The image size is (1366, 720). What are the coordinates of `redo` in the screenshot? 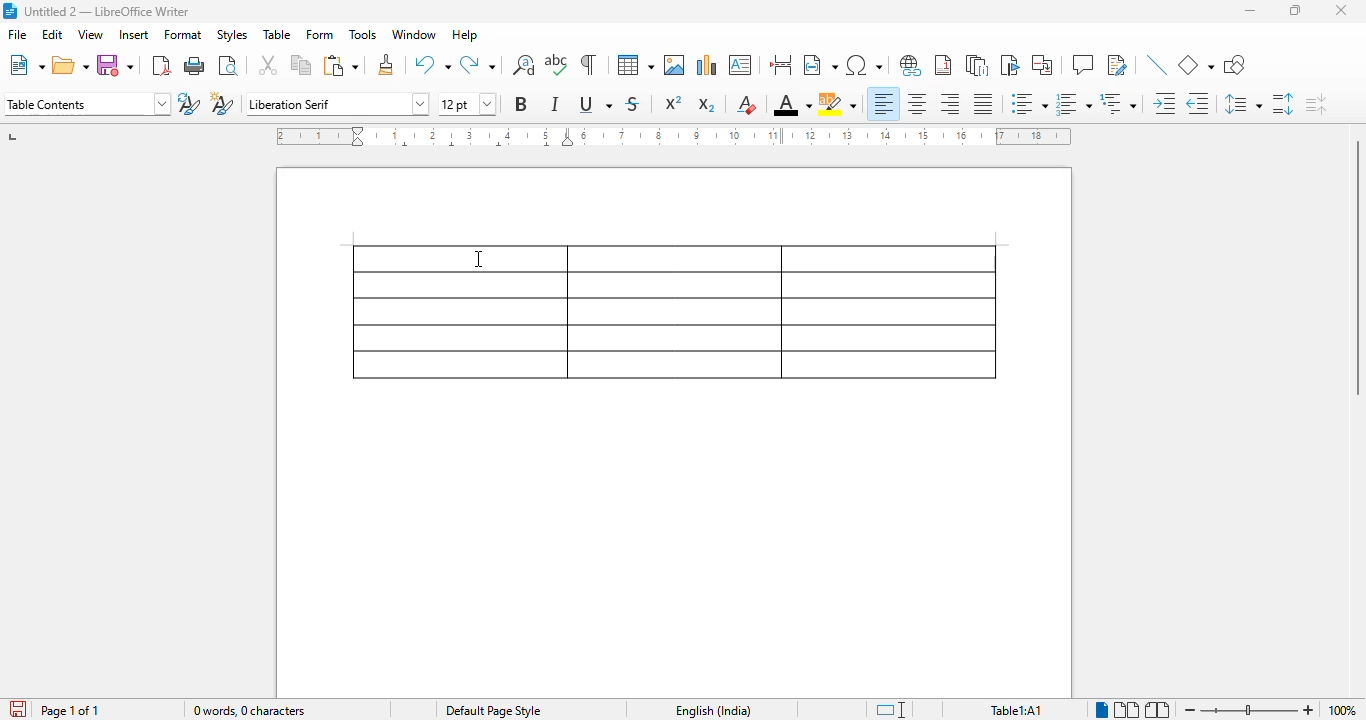 It's located at (477, 64).